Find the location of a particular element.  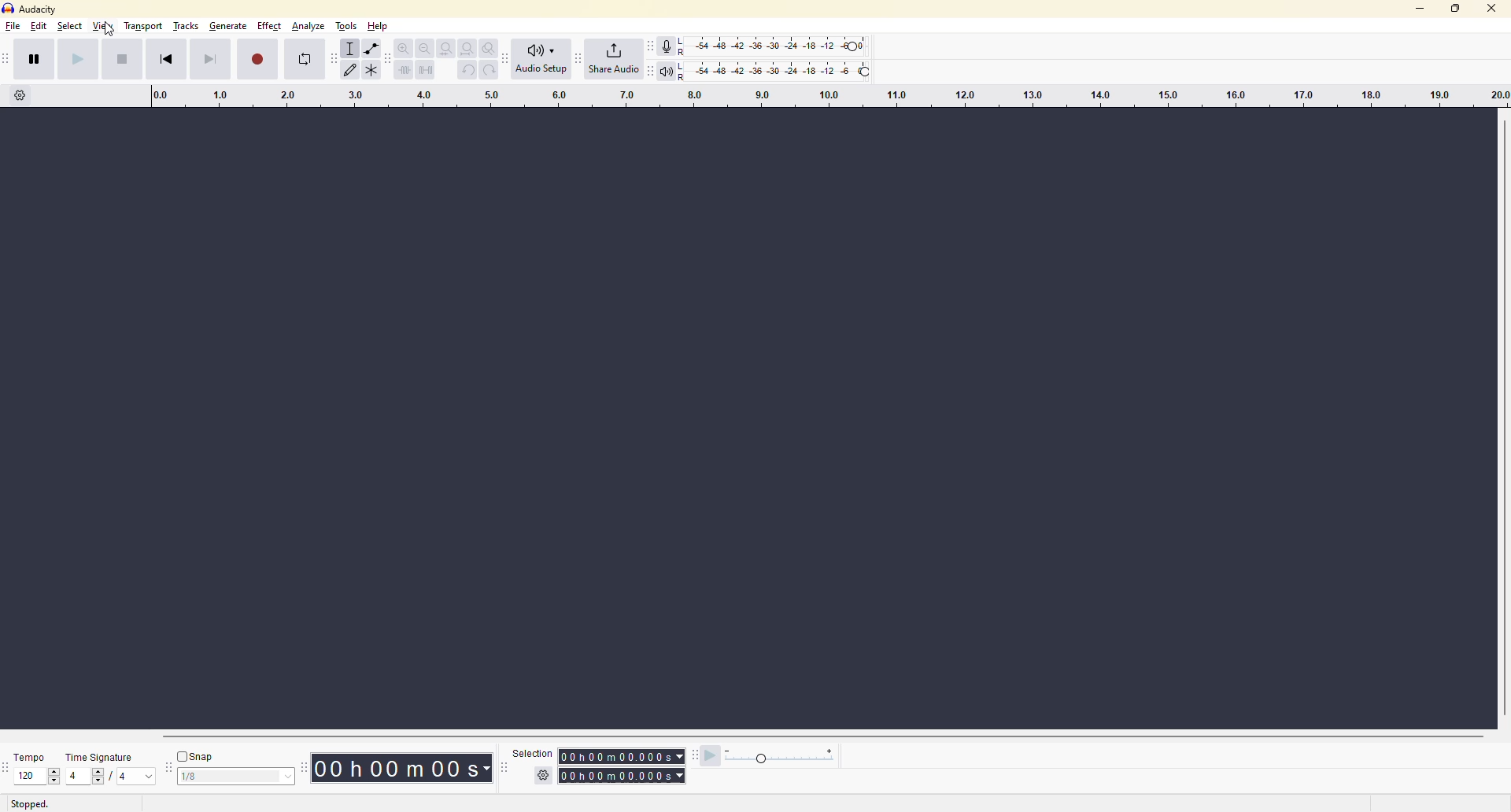

selection tool is located at coordinates (352, 49).